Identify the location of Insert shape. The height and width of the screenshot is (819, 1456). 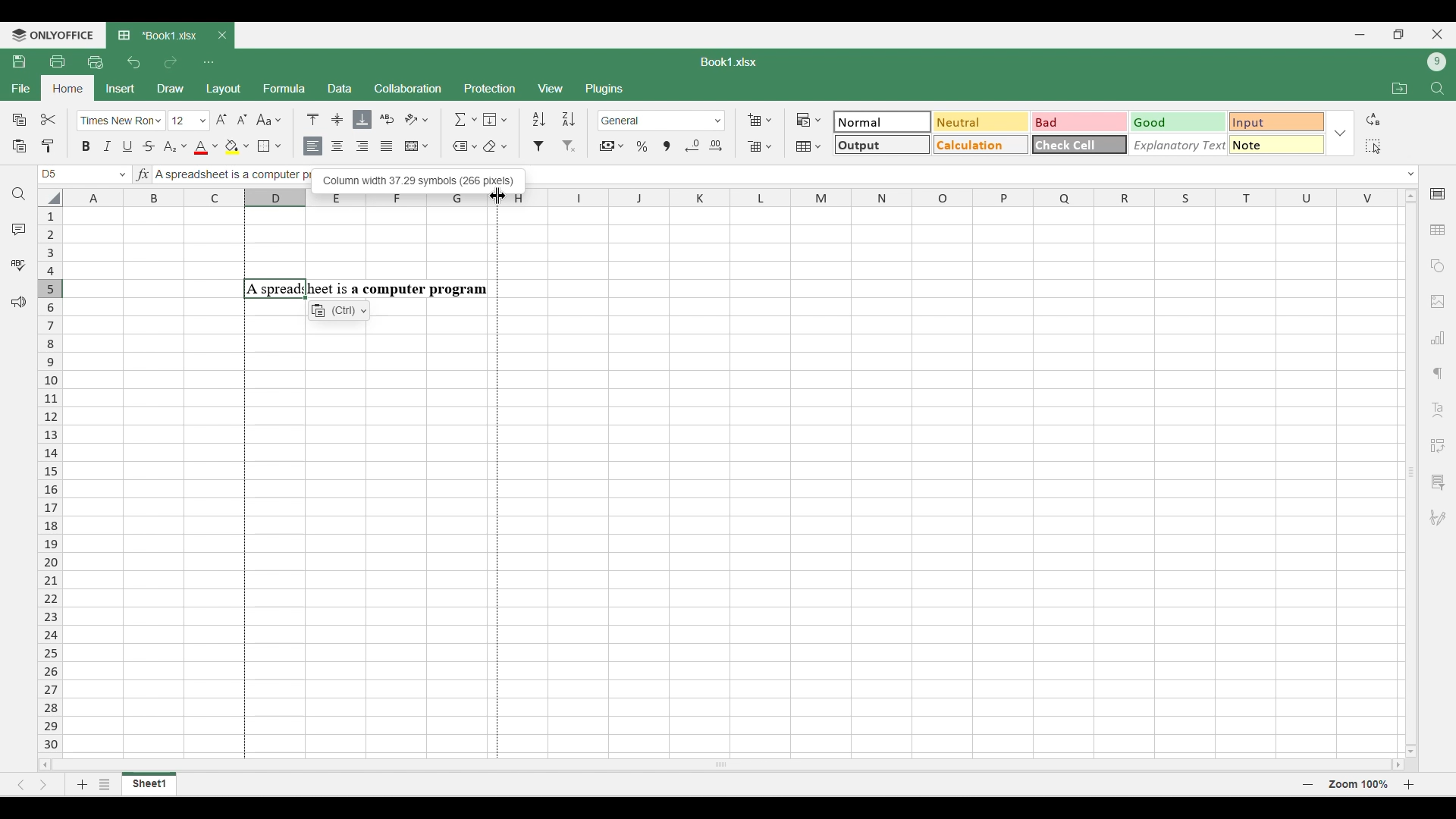
(1436, 266).